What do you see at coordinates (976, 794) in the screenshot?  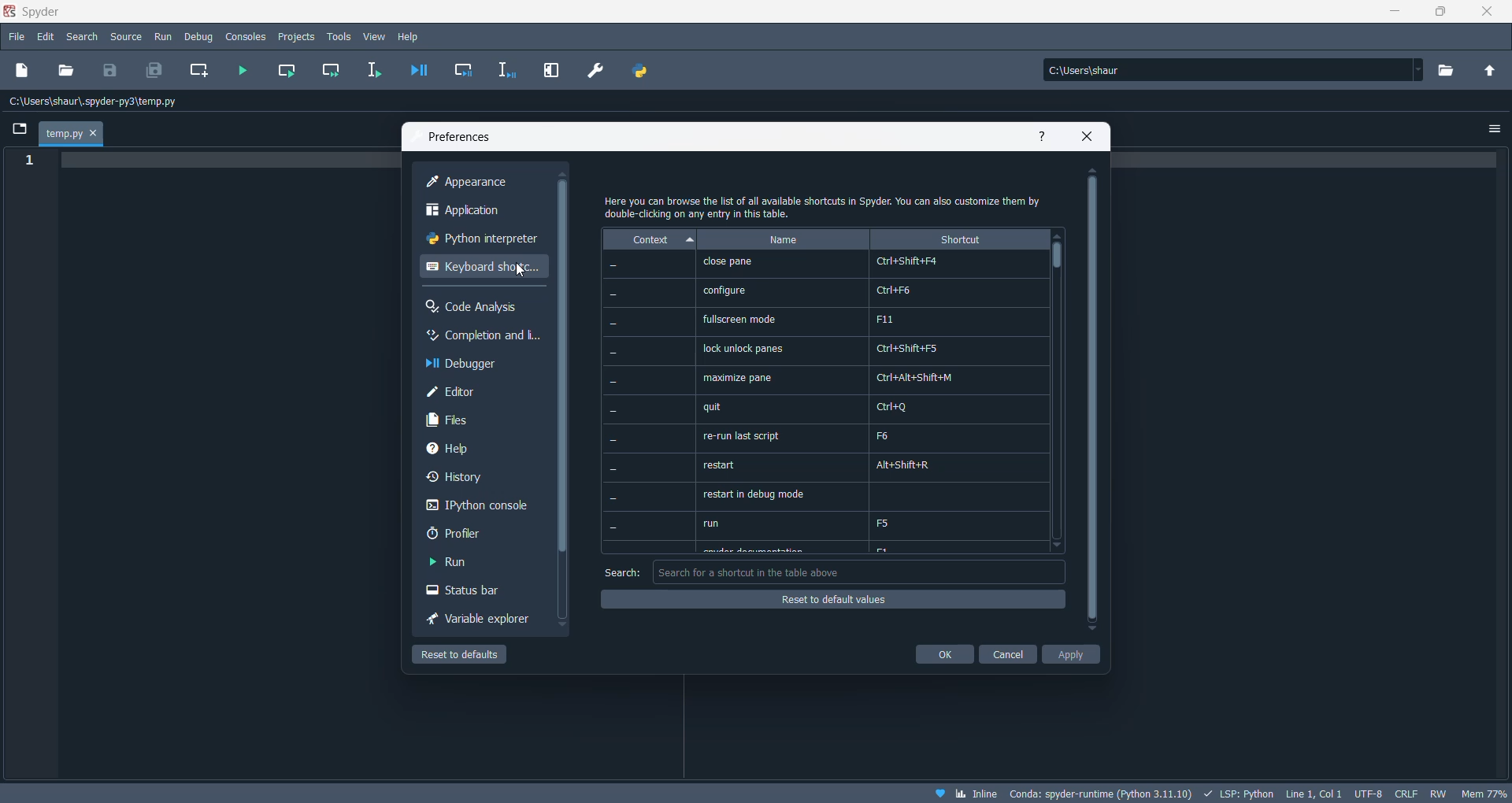 I see `inline` at bounding box center [976, 794].